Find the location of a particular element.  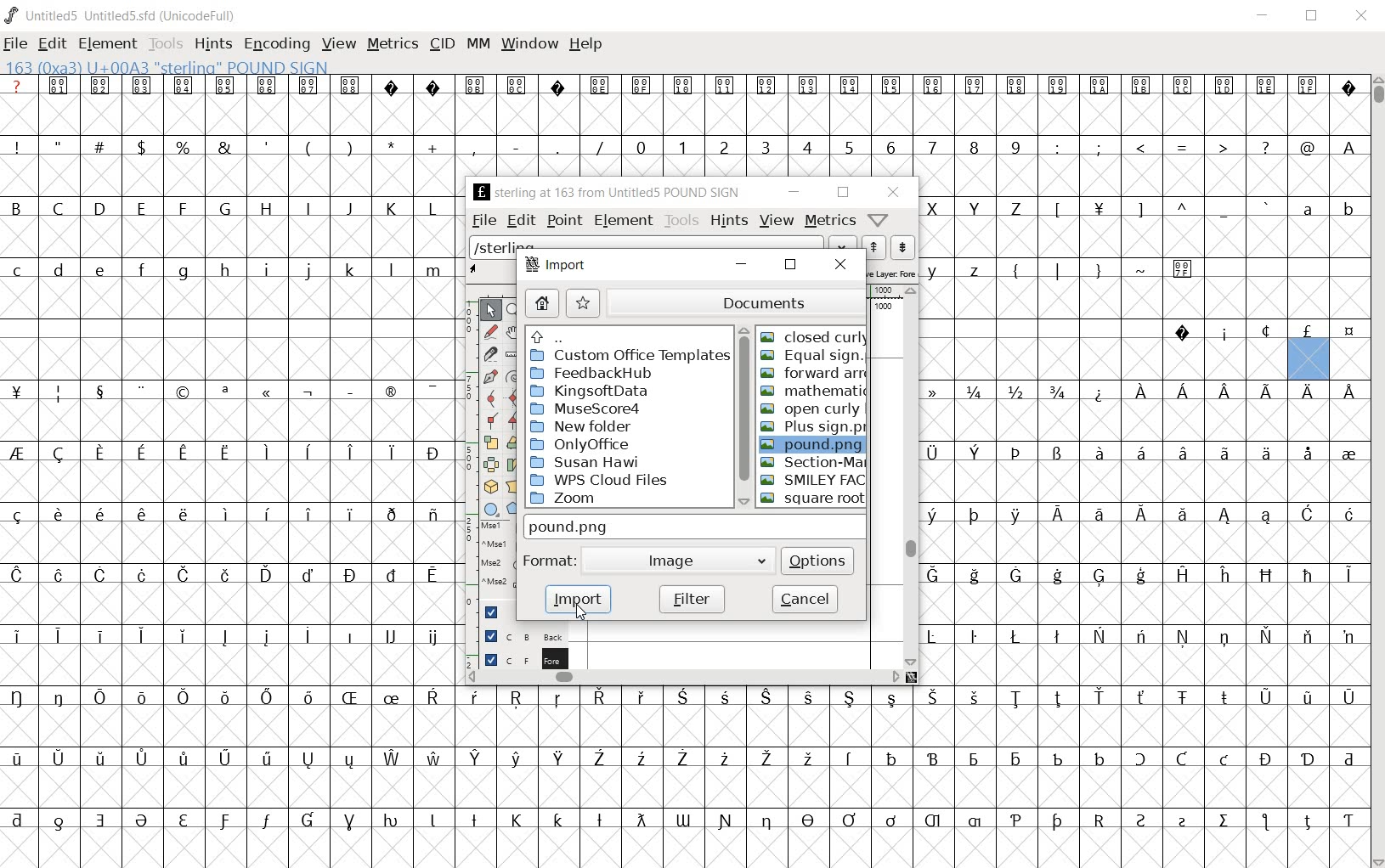

/sterling is located at coordinates (647, 243).